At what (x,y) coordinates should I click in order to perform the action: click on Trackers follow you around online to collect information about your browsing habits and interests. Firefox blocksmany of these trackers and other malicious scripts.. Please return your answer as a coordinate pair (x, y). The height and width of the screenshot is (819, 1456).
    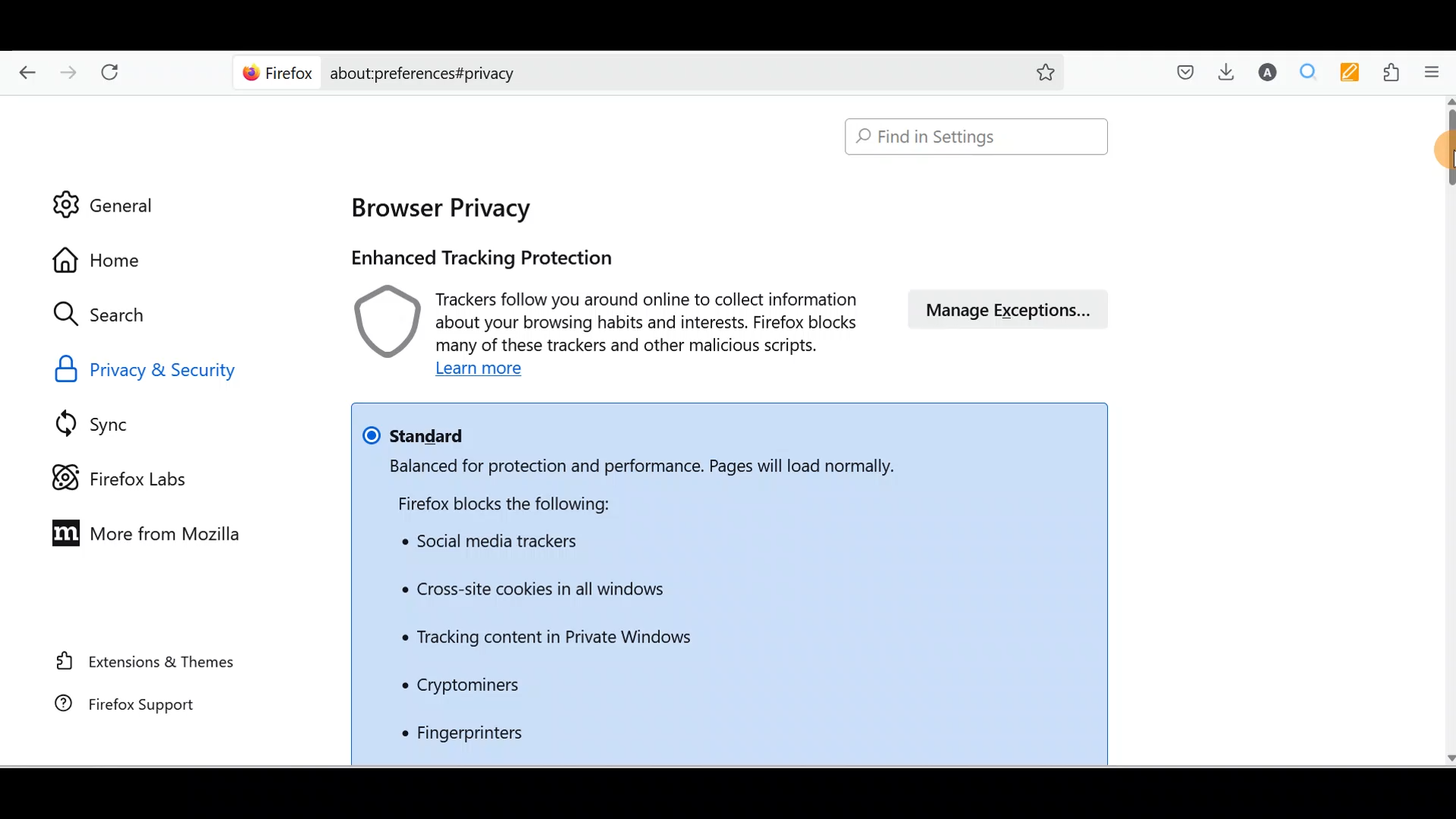
    Looking at the image, I should click on (648, 322).